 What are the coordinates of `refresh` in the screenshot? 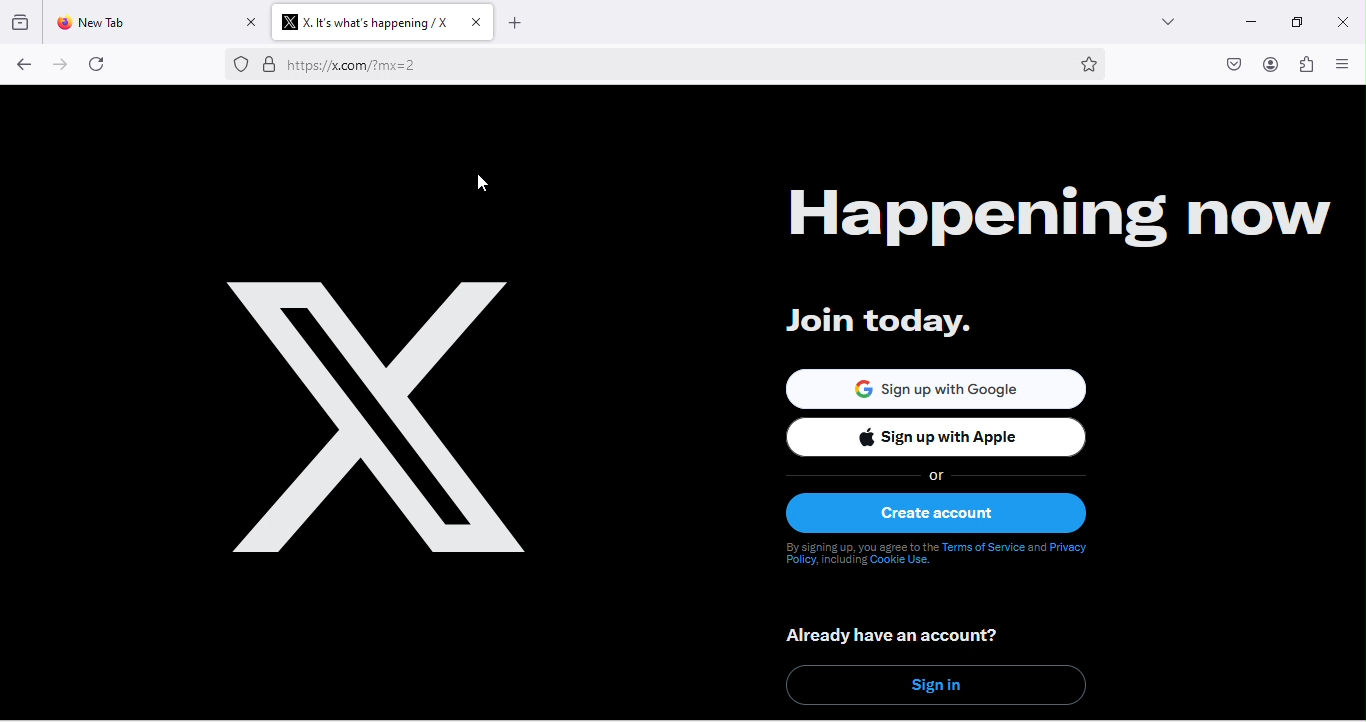 It's located at (96, 66).